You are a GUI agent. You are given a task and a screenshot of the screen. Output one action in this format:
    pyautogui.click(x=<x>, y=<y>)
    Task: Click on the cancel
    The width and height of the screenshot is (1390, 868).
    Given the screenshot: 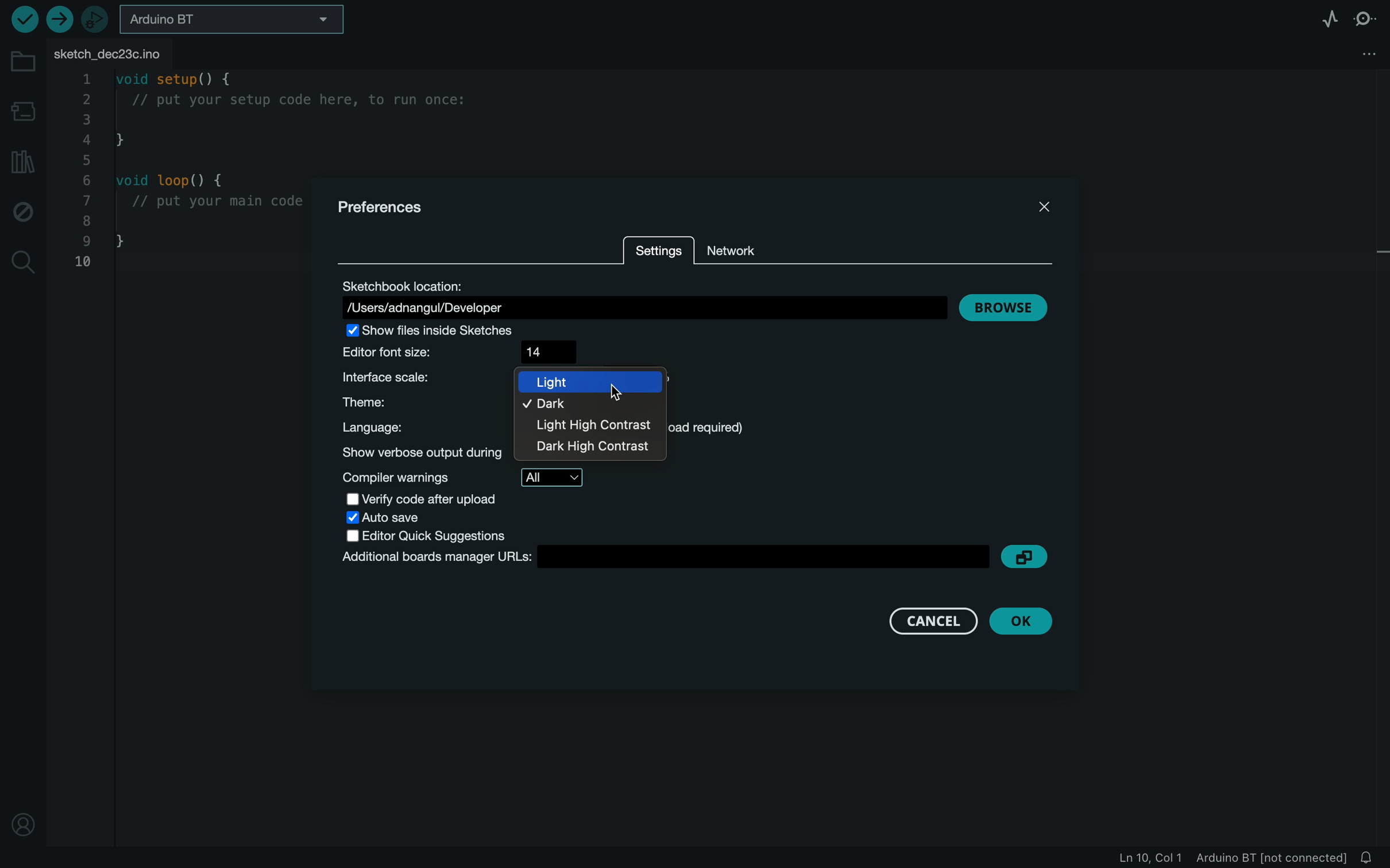 What is the action you would take?
    pyautogui.click(x=933, y=621)
    